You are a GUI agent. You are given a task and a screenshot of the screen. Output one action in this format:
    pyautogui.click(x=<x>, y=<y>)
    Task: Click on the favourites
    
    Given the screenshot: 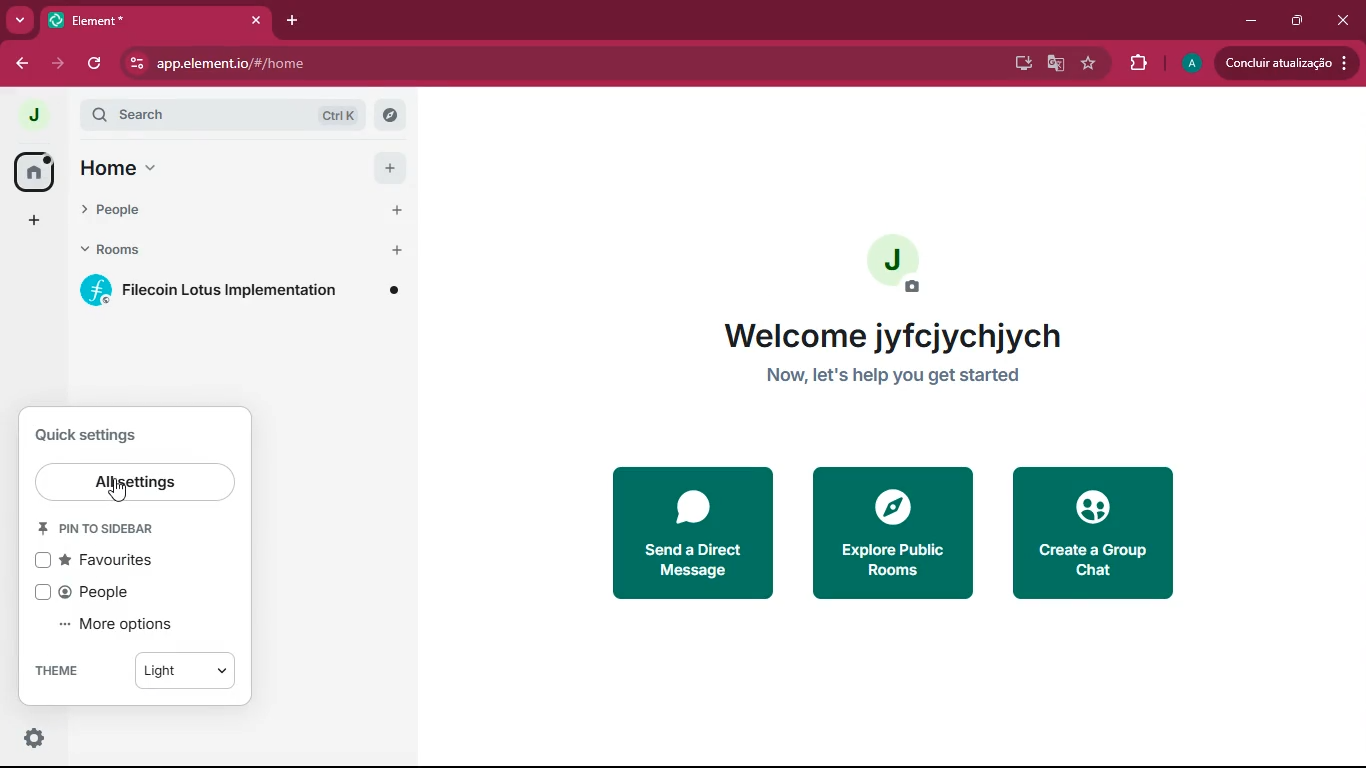 What is the action you would take?
    pyautogui.click(x=96, y=561)
    